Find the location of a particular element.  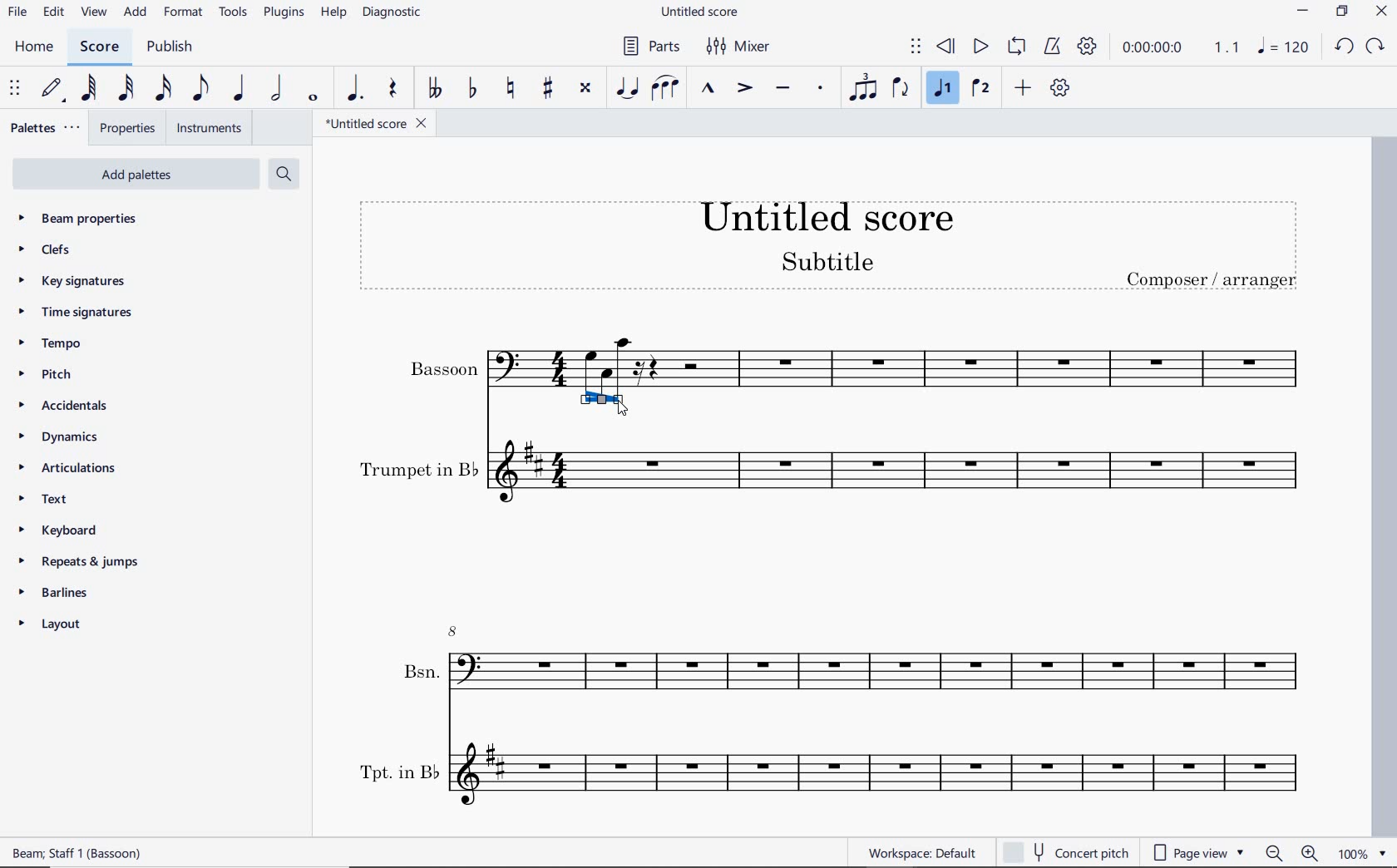

quarter note is located at coordinates (239, 89).